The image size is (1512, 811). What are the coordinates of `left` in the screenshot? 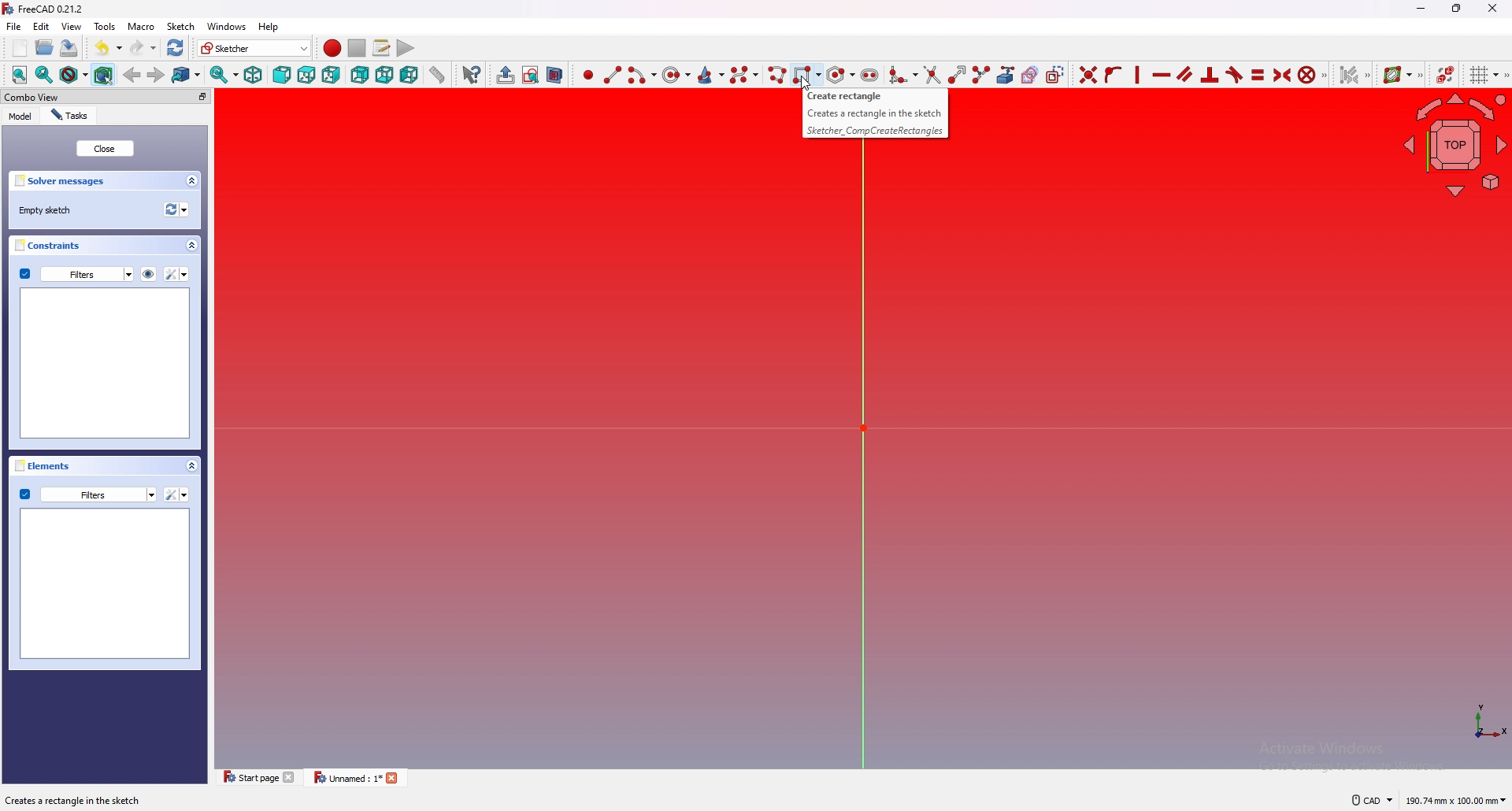 It's located at (409, 74).